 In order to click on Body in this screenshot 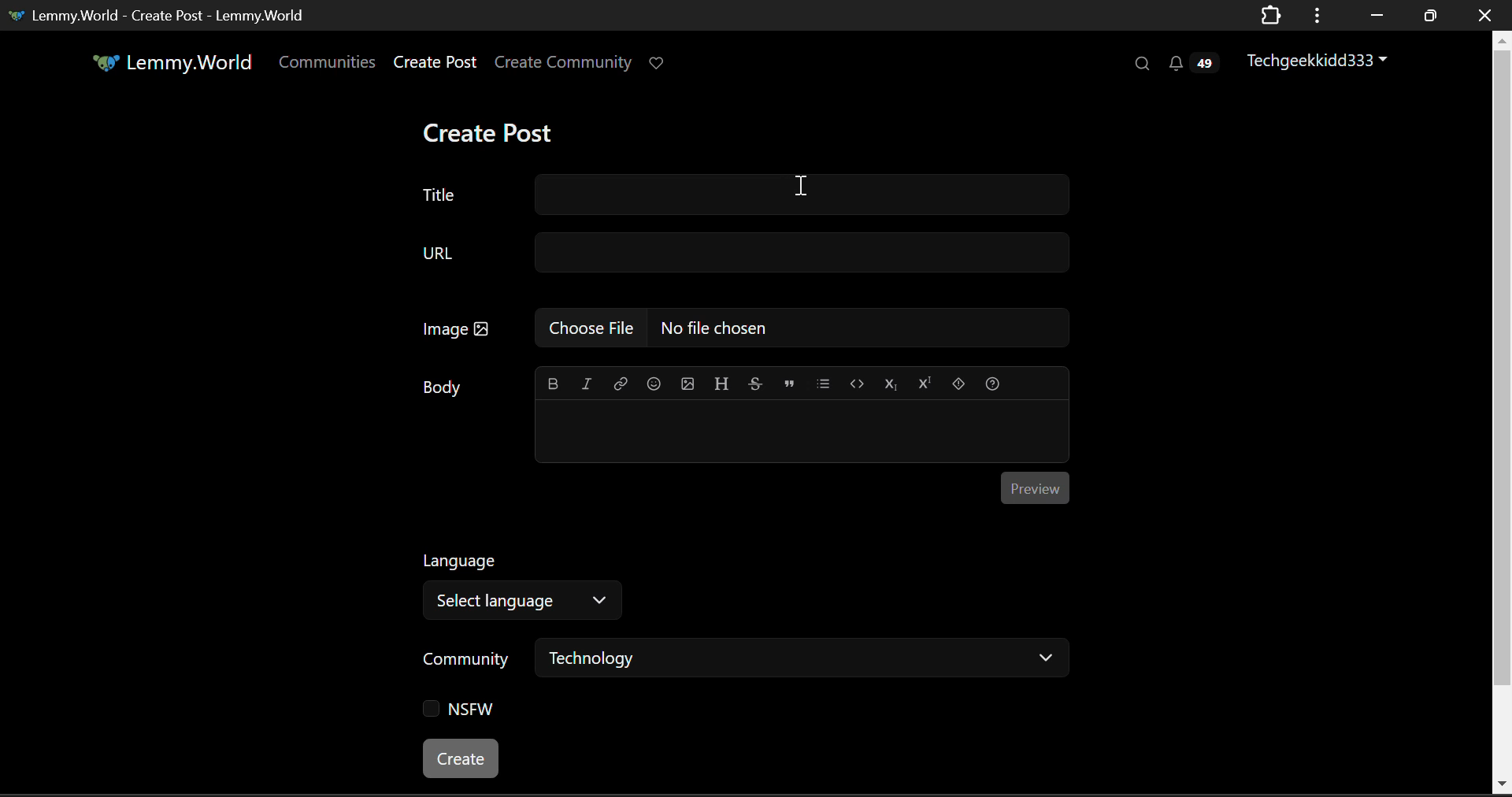, I will do `click(443, 388)`.